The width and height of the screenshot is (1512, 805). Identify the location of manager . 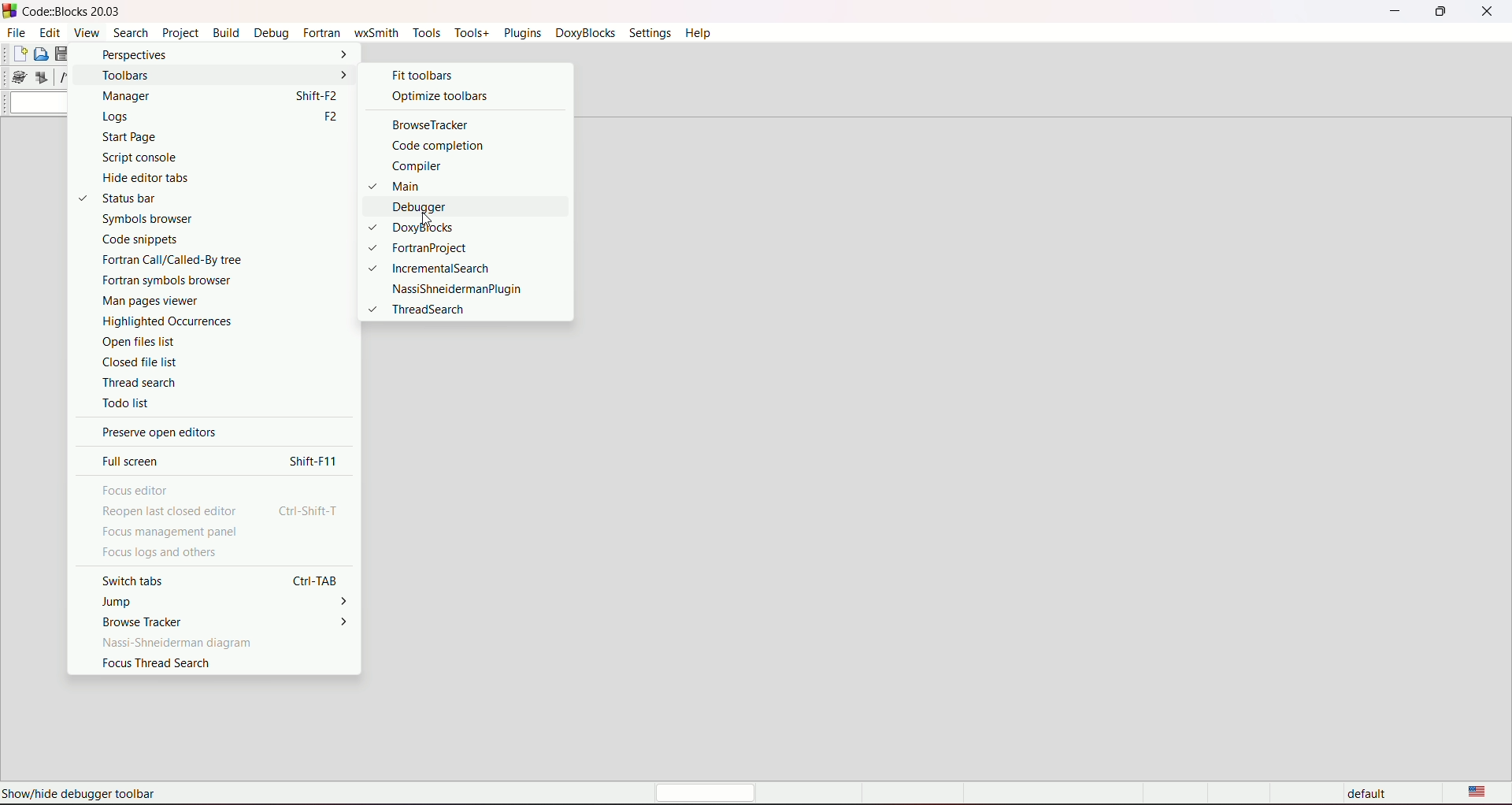
(187, 97).